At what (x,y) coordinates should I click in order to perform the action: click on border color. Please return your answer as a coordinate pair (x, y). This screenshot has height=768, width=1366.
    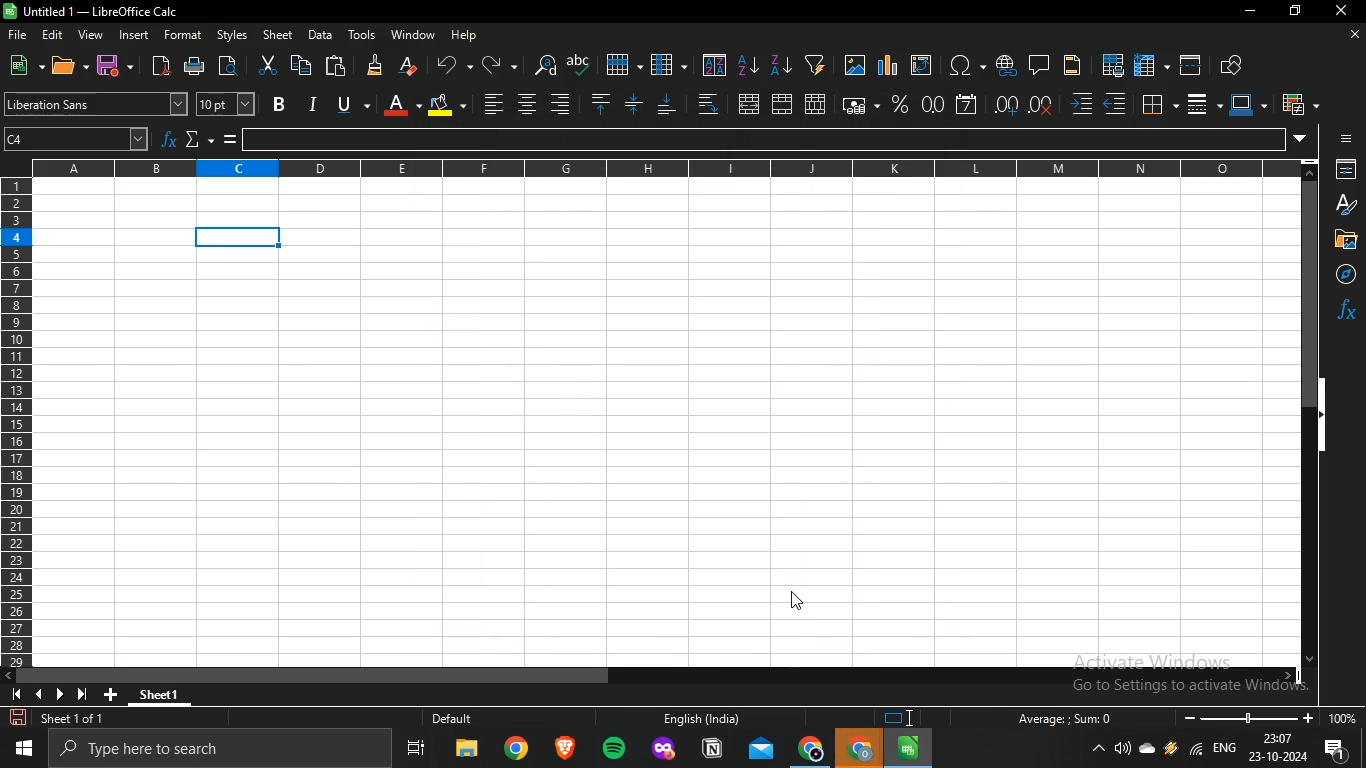
    Looking at the image, I should click on (1244, 103).